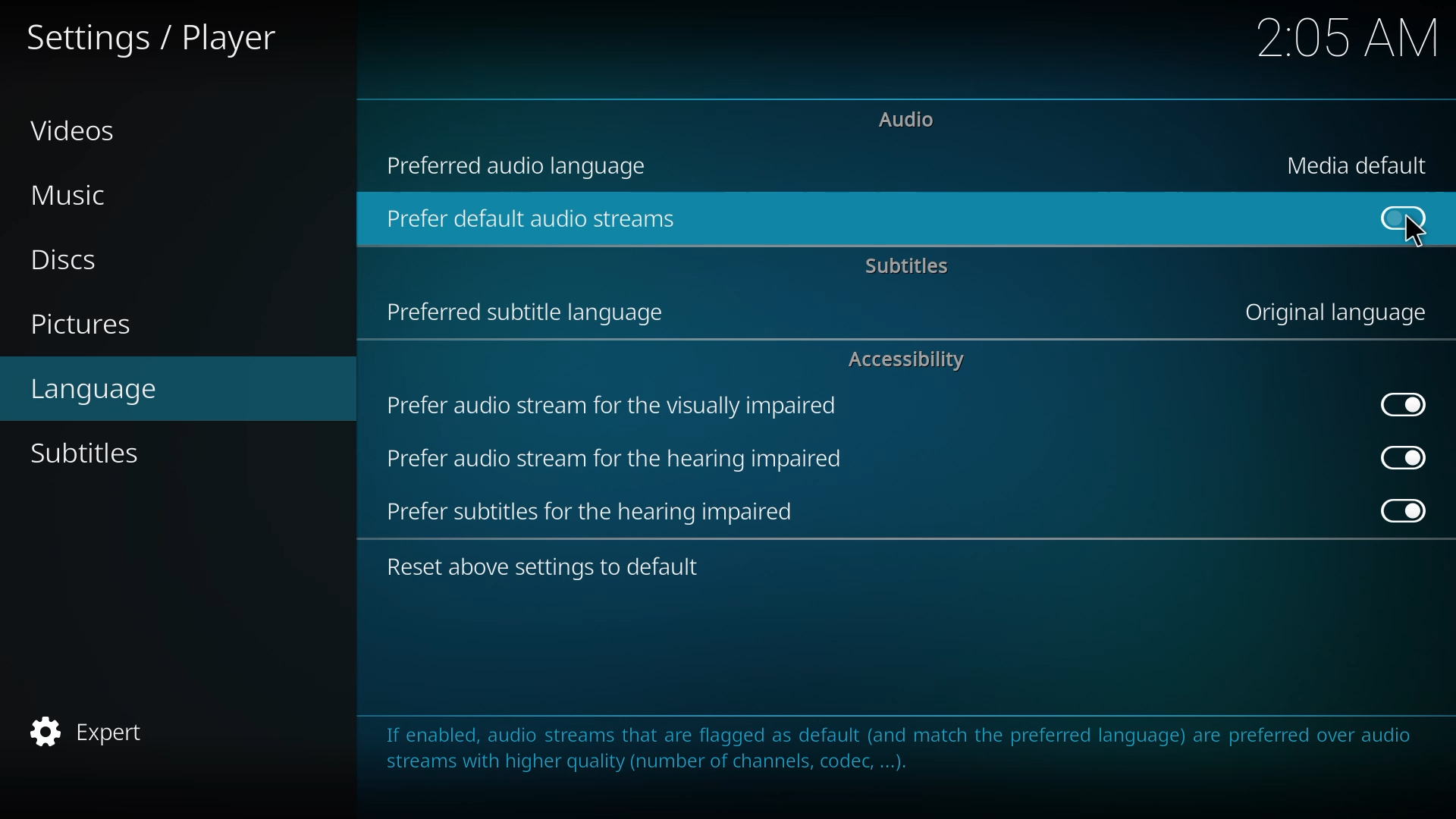  Describe the element at coordinates (1404, 403) in the screenshot. I see `disabled` at that location.